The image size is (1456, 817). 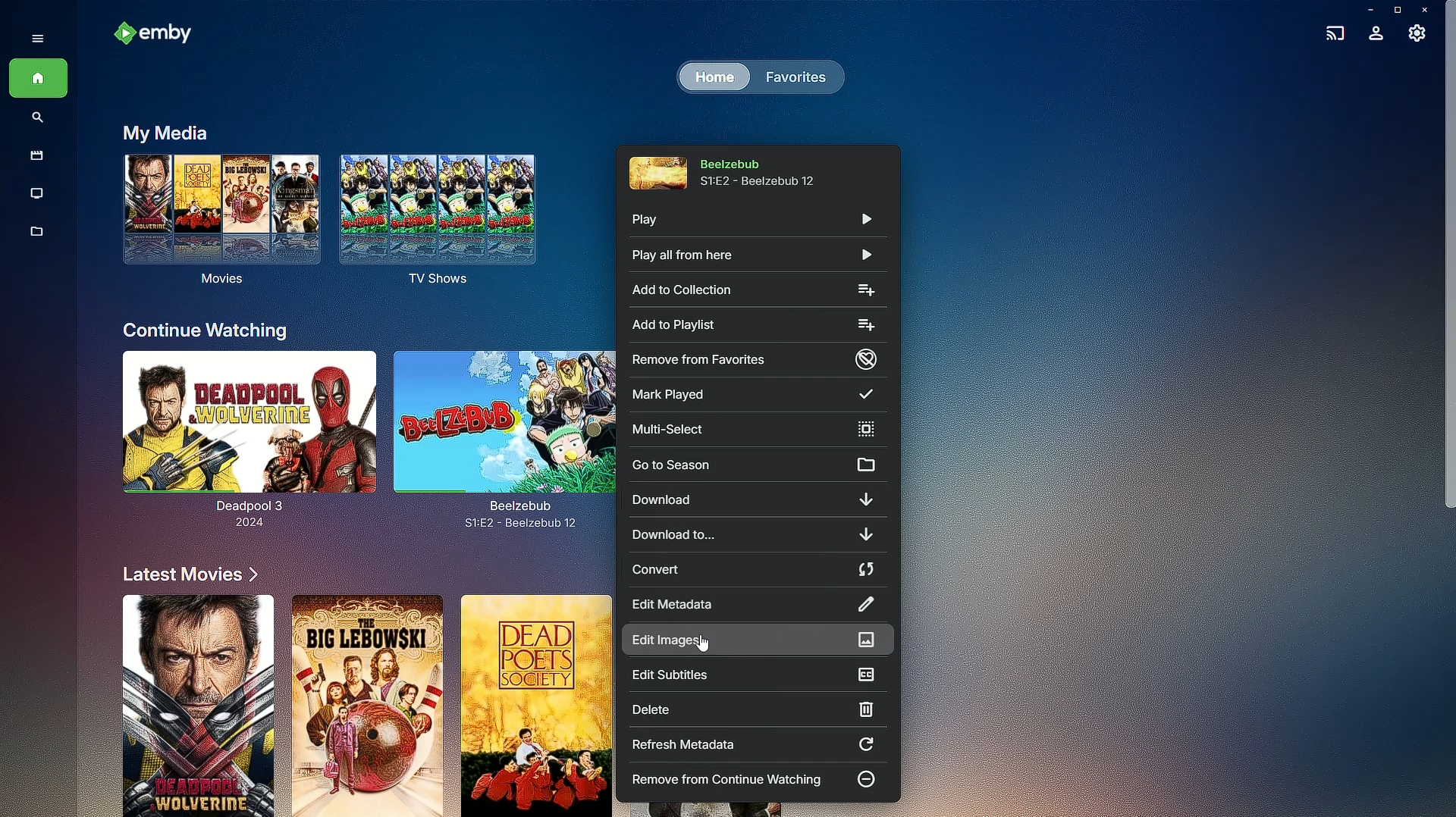 What do you see at coordinates (38, 194) in the screenshot?
I see `TV Shows` at bounding box center [38, 194].